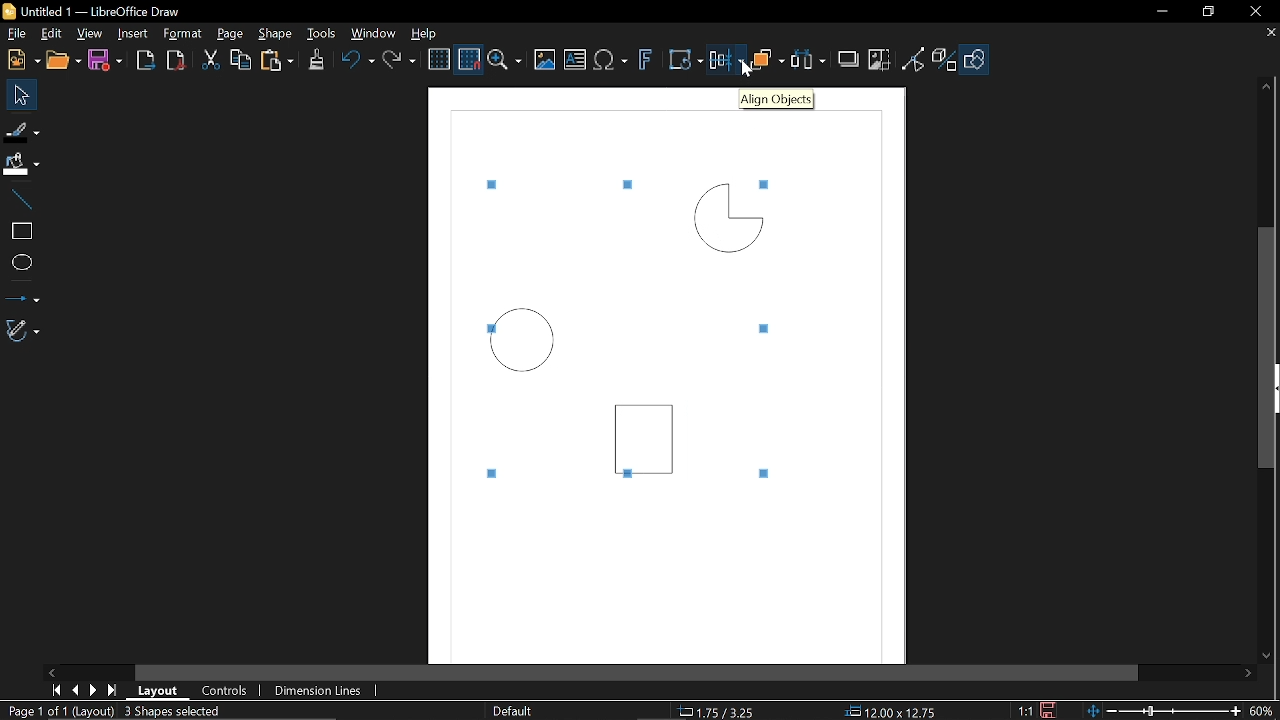  What do you see at coordinates (10, 12) in the screenshot?
I see `LibreOffice Logo` at bounding box center [10, 12].